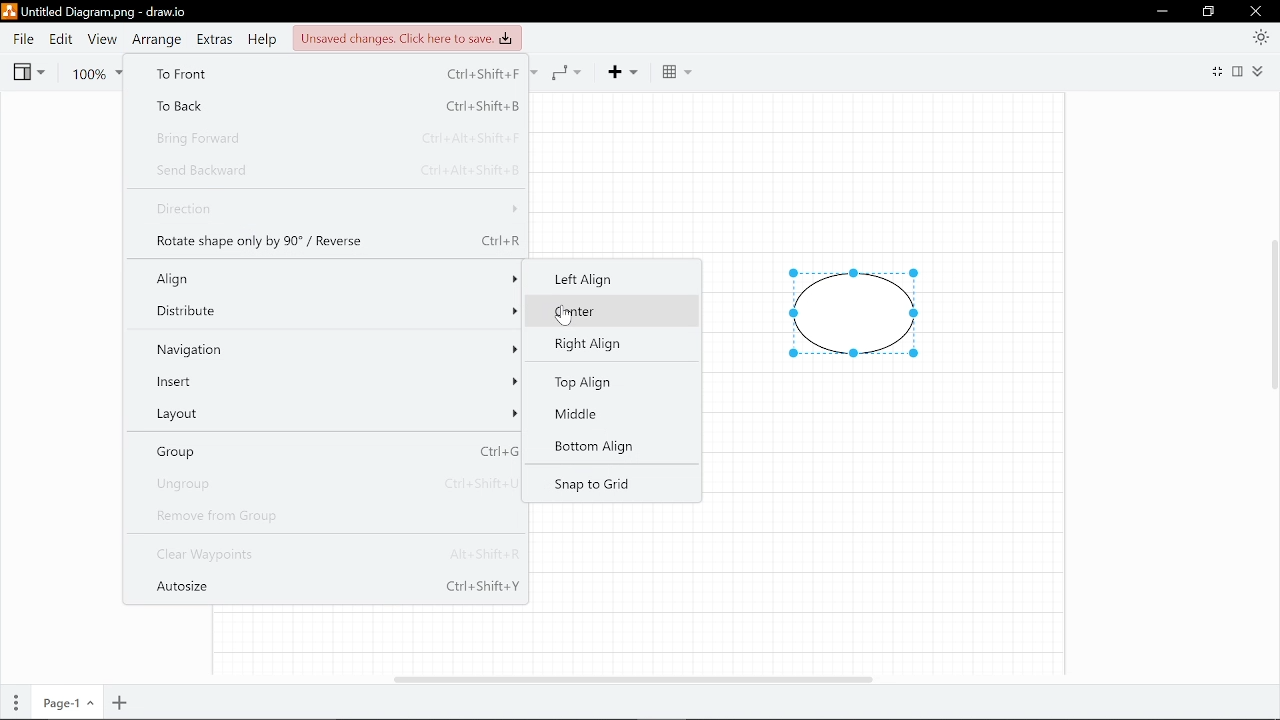 This screenshot has height=720, width=1280. What do you see at coordinates (59, 39) in the screenshot?
I see `Edit` at bounding box center [59, 39].